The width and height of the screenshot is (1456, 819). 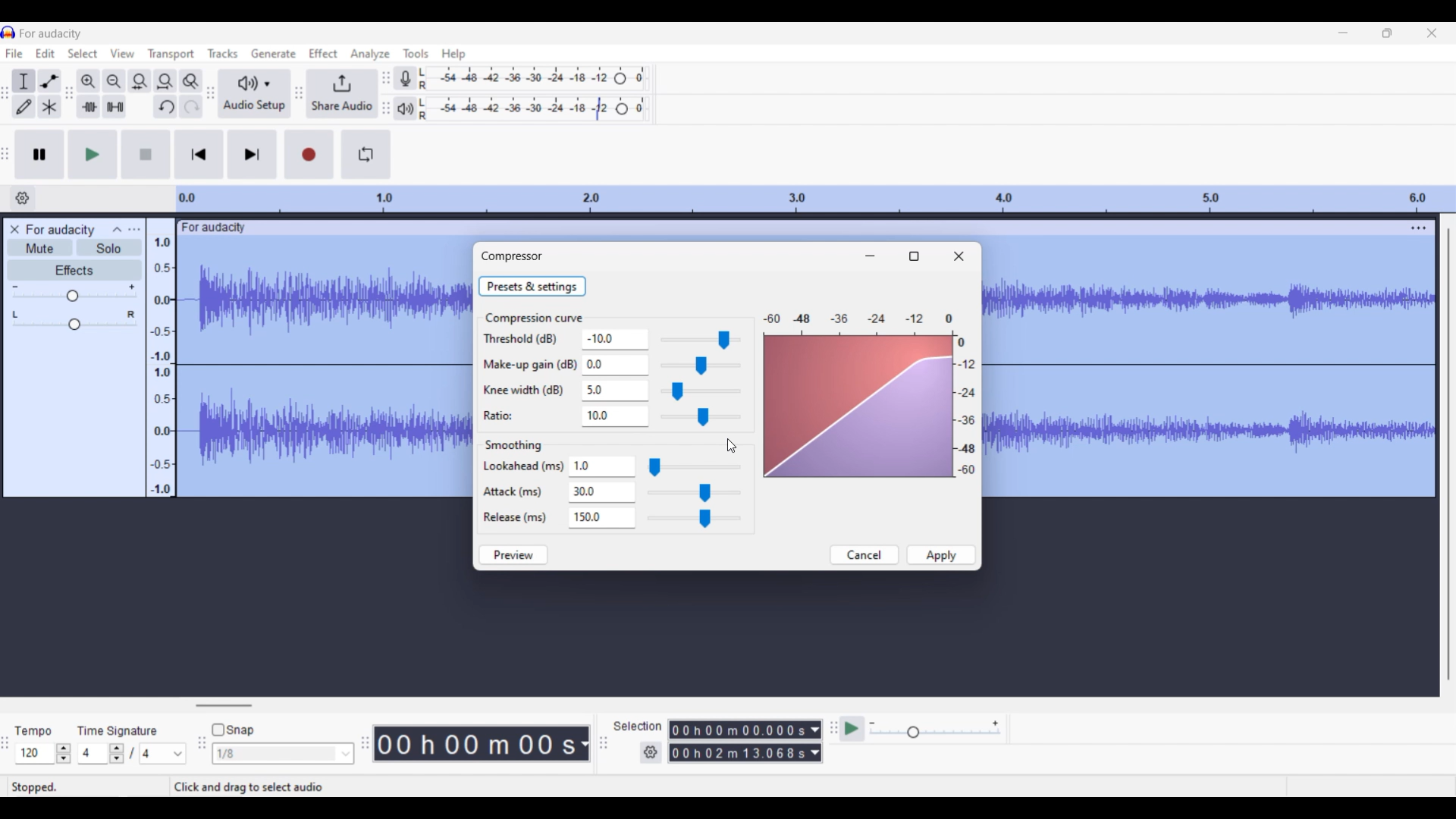 What do you see at coordinates (61, 230) in the screenshot?
I see `Project name` at bounding box center [61, 230].